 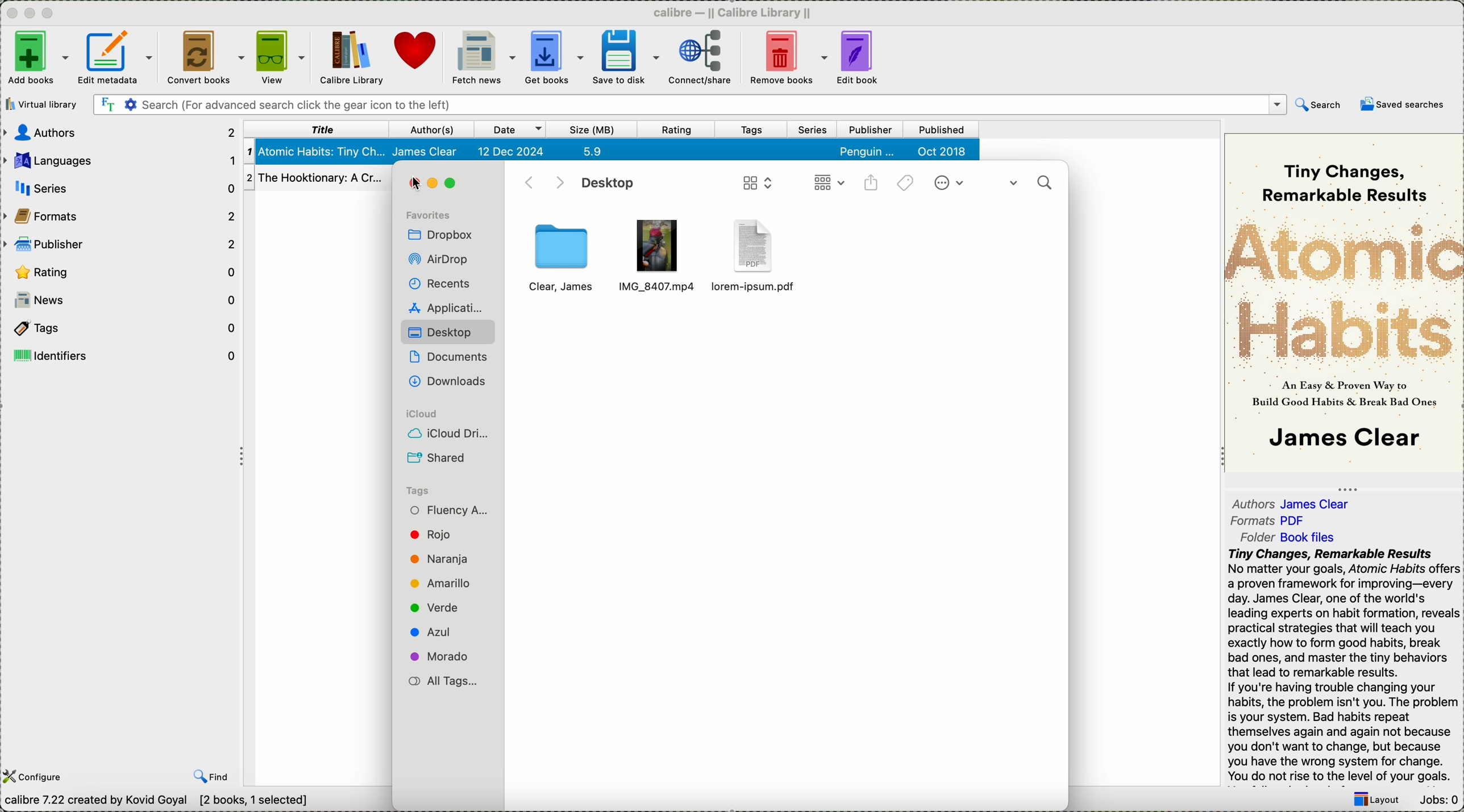 What do you see at coordinates (439, 678) in the screenshot?
I see `all tags` at bounding box center [439, 678].